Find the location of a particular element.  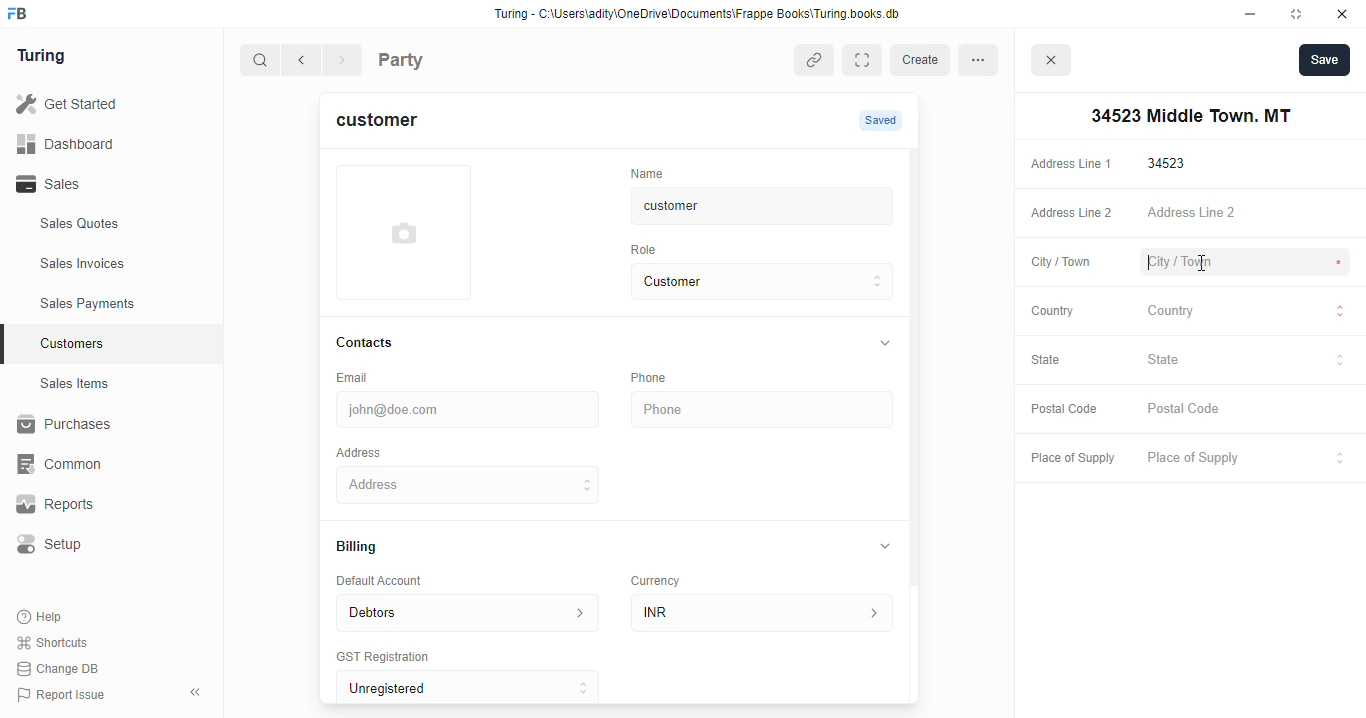

collpase is located at coordinates (195, 692).